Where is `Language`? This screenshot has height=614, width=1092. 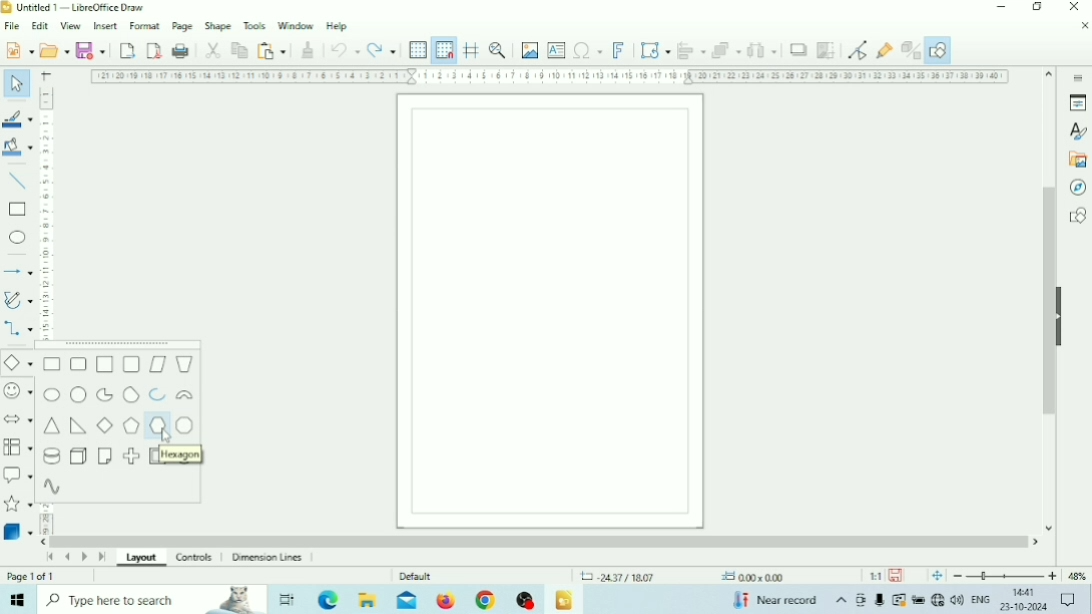 Language is located at coordinates (982, 600).